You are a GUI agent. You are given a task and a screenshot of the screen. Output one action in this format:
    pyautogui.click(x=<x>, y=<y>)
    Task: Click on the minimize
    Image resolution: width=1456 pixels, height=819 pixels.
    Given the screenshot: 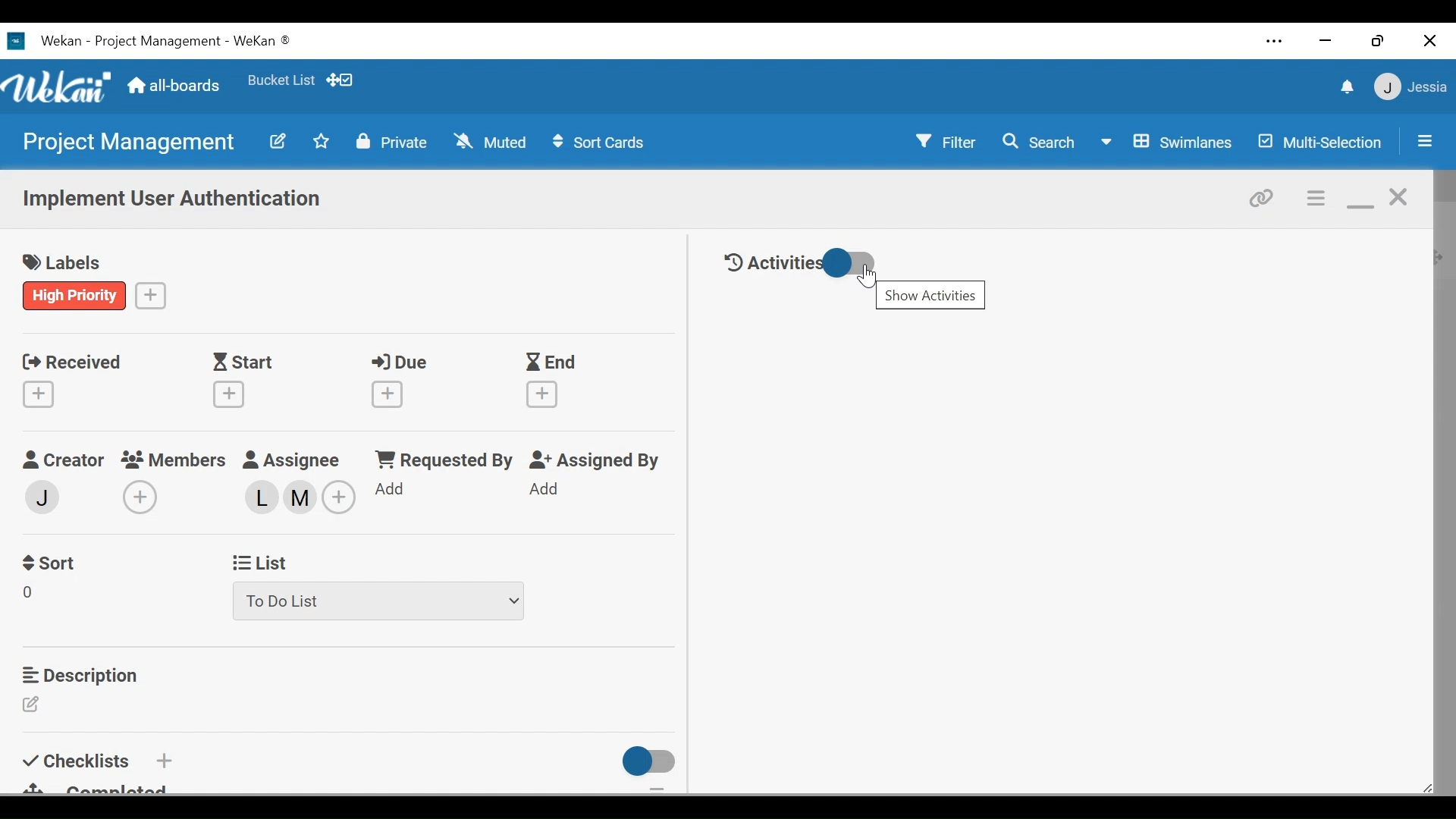 What is the action you would take?
    pyautogui.click(x=1358, y=198)
    